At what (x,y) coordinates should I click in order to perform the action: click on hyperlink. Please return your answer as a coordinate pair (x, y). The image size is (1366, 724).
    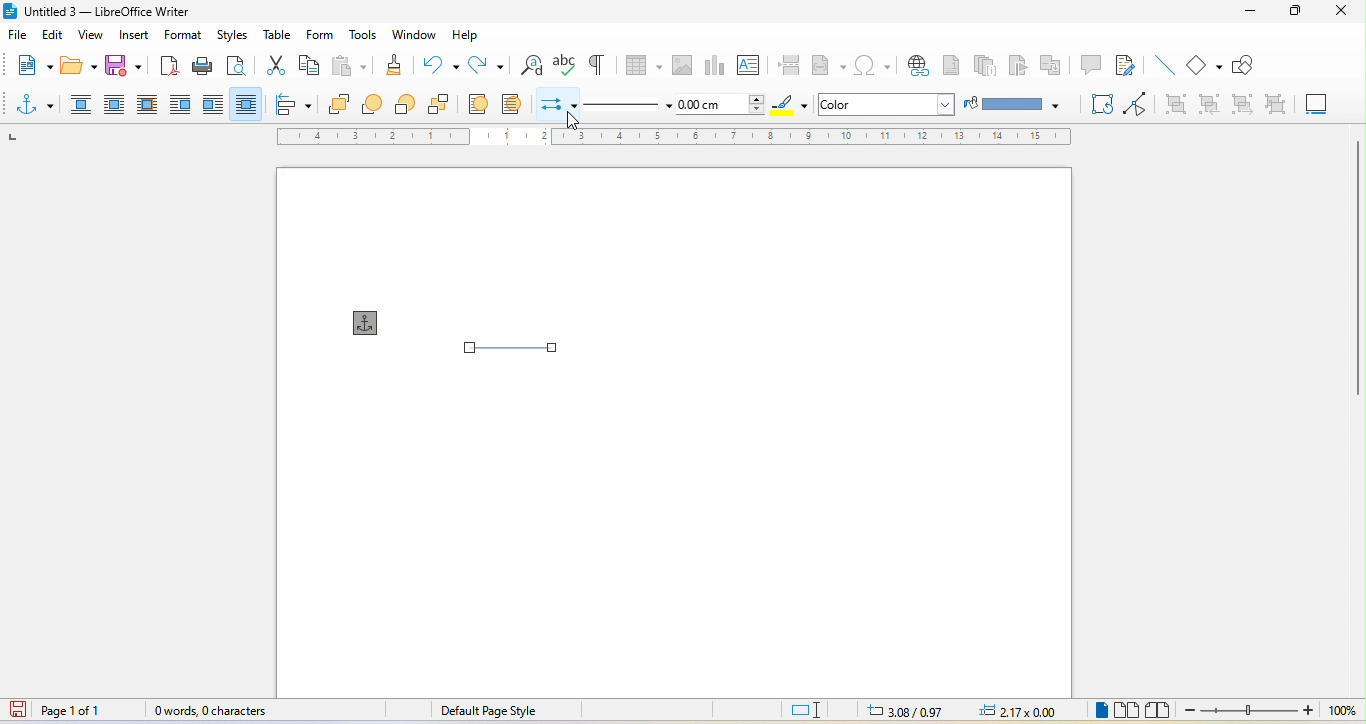
    Looking at the image, I should click on (918, 65).